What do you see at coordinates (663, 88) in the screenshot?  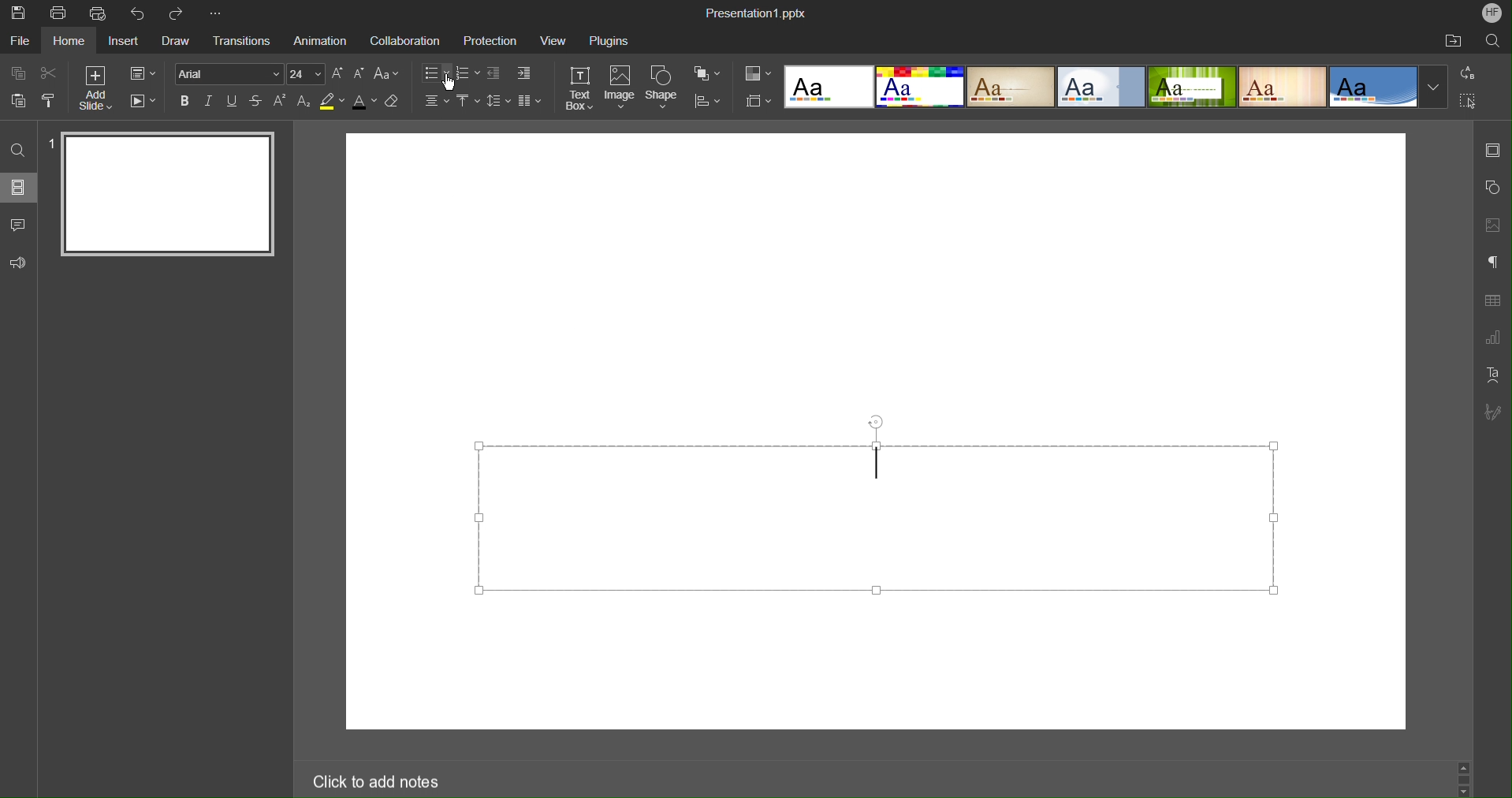 I see `Shape` at bounding box center [663, 88].